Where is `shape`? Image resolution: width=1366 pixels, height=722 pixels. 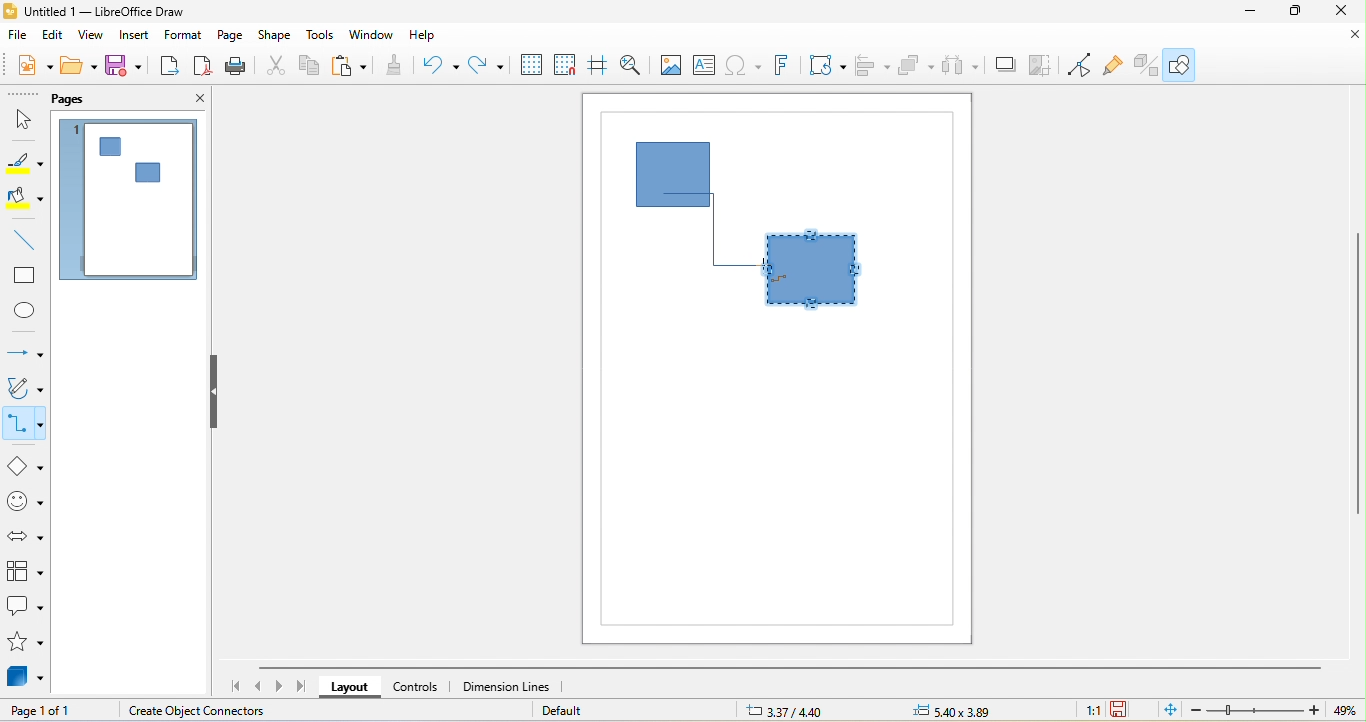 shape is located at coordinates (274, 36).